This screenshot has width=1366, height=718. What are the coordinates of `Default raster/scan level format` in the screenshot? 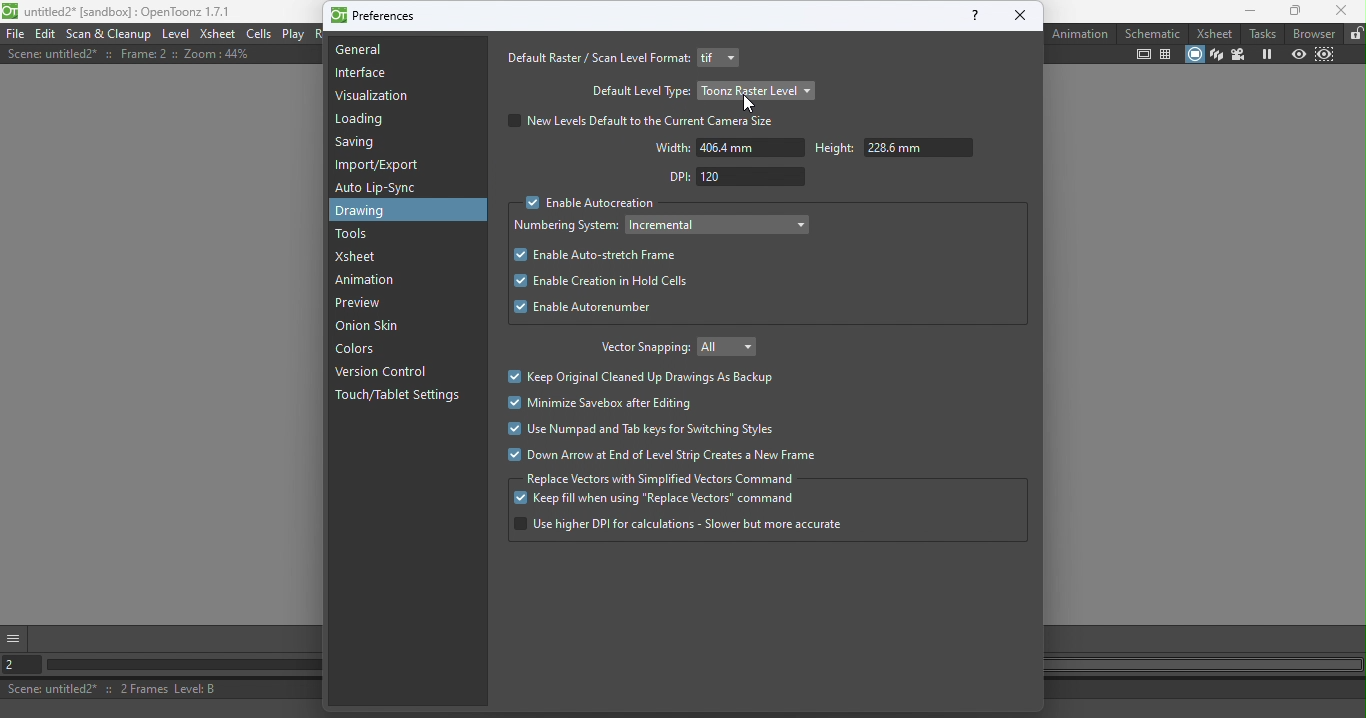 It's located at (597, 58).